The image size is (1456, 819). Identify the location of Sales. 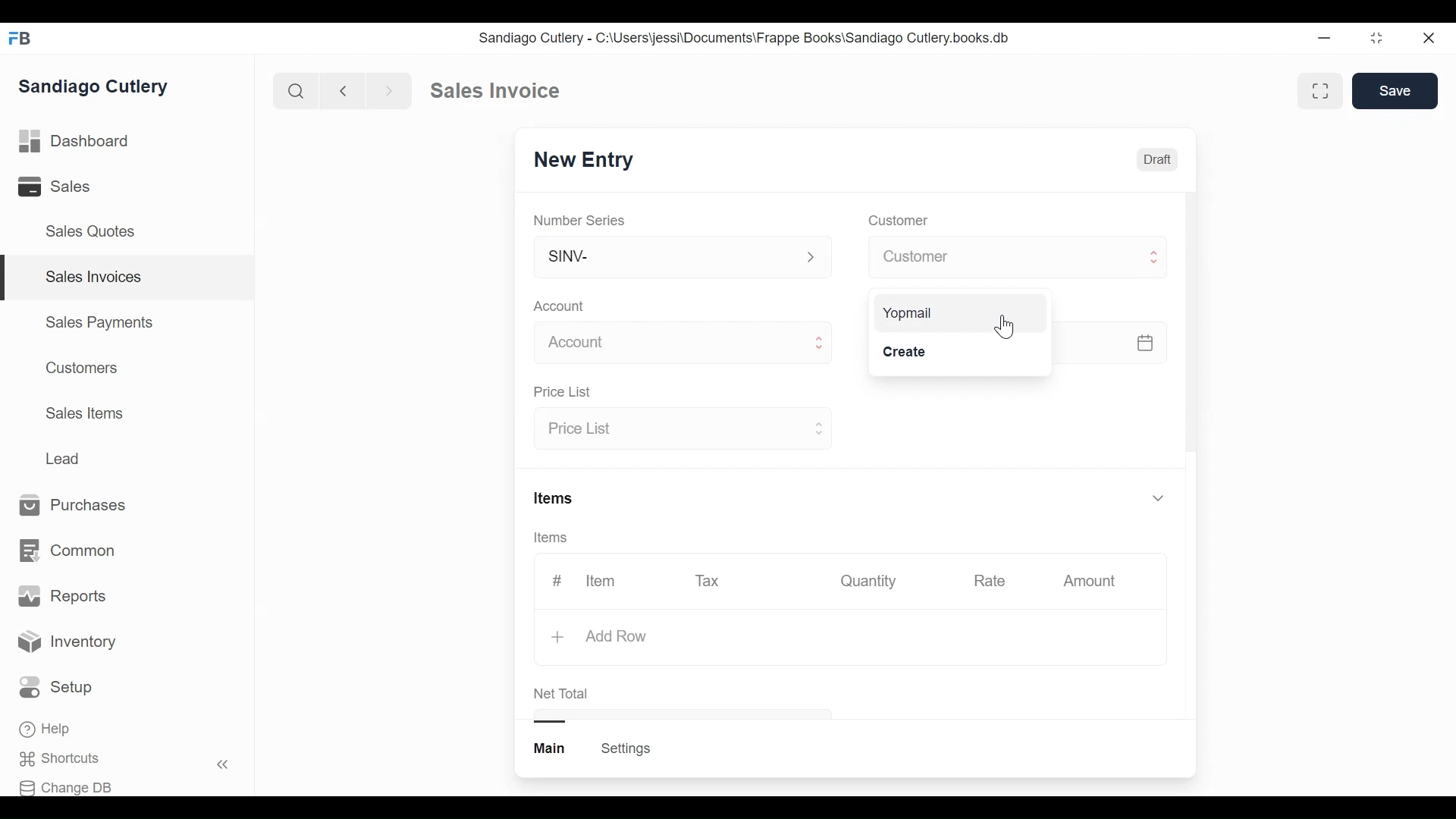
(57, 186).